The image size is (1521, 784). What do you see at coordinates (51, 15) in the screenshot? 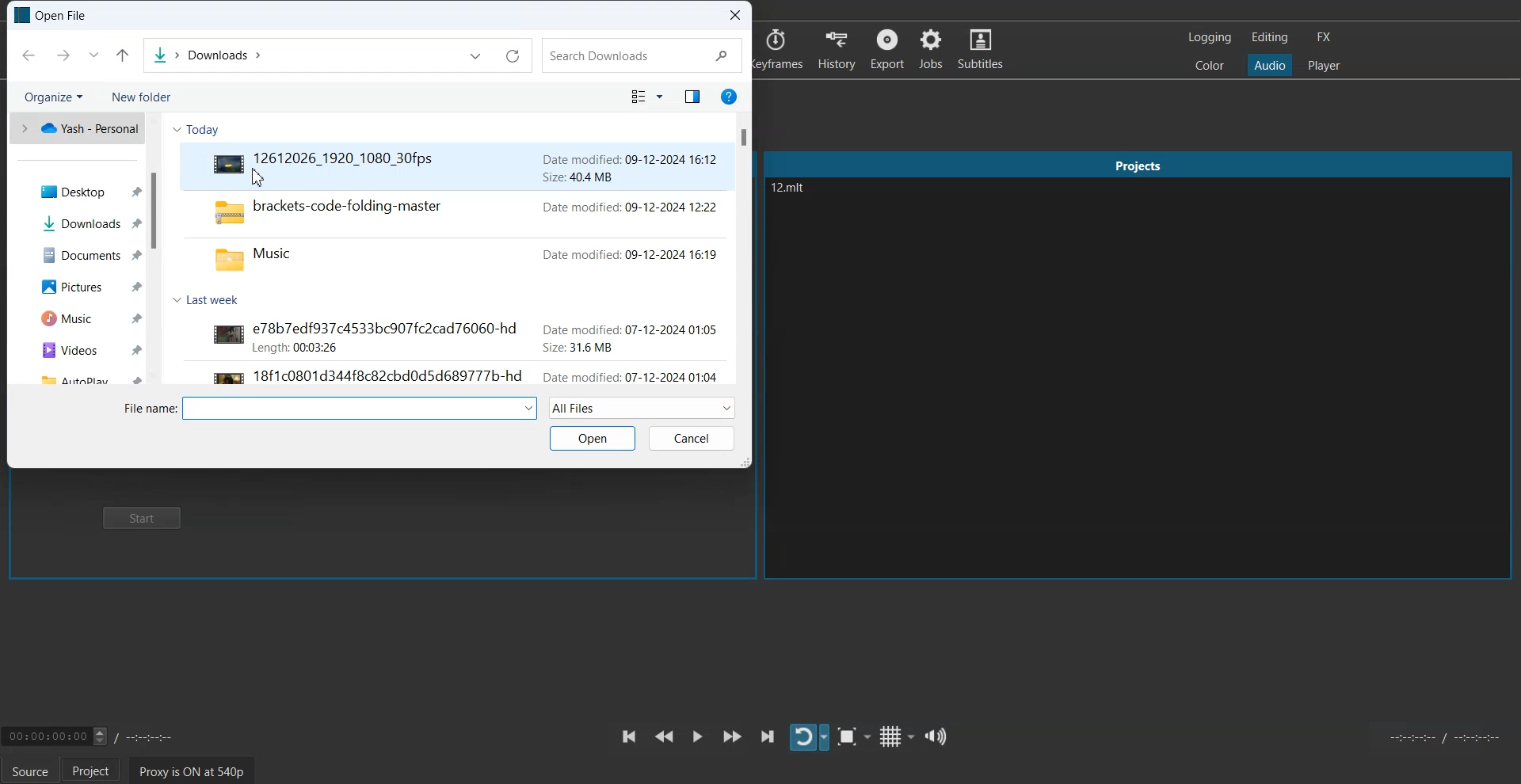
I see `Text 1` at bounding box center [51, 15].